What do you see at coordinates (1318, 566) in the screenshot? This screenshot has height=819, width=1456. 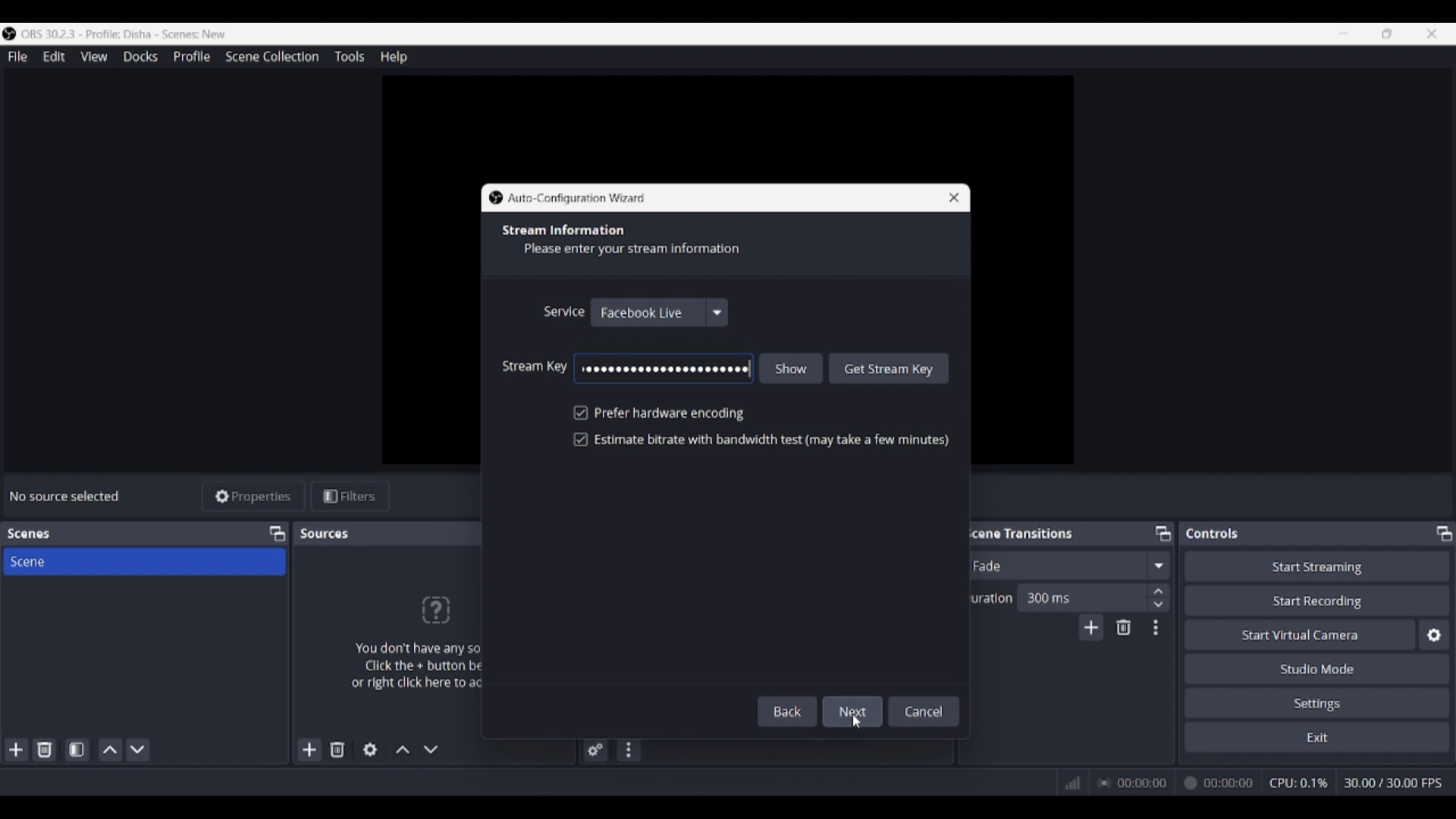 I see `Start streaming` at bounding box center [1318, 566].